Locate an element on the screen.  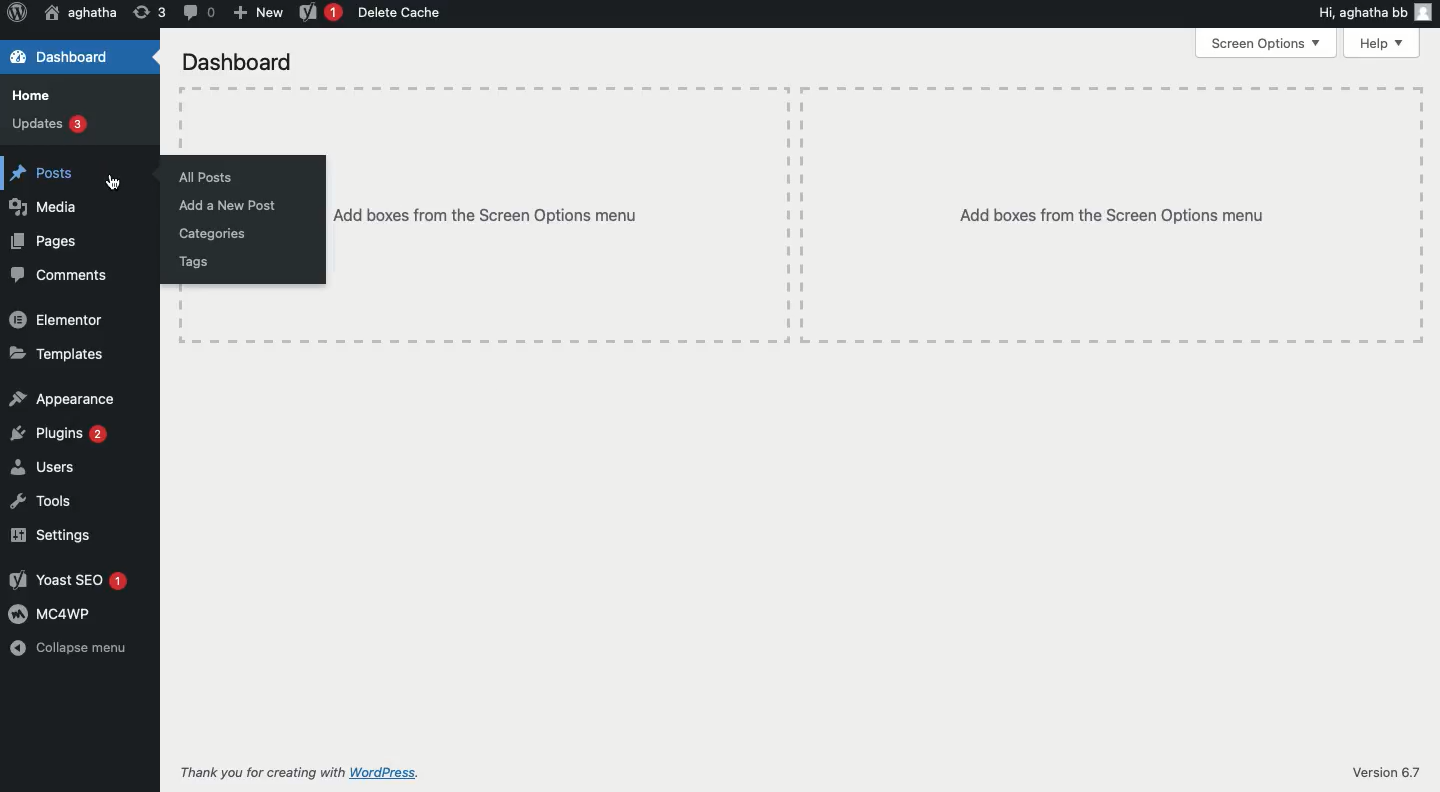
Name is located at coordinates (77, 15).